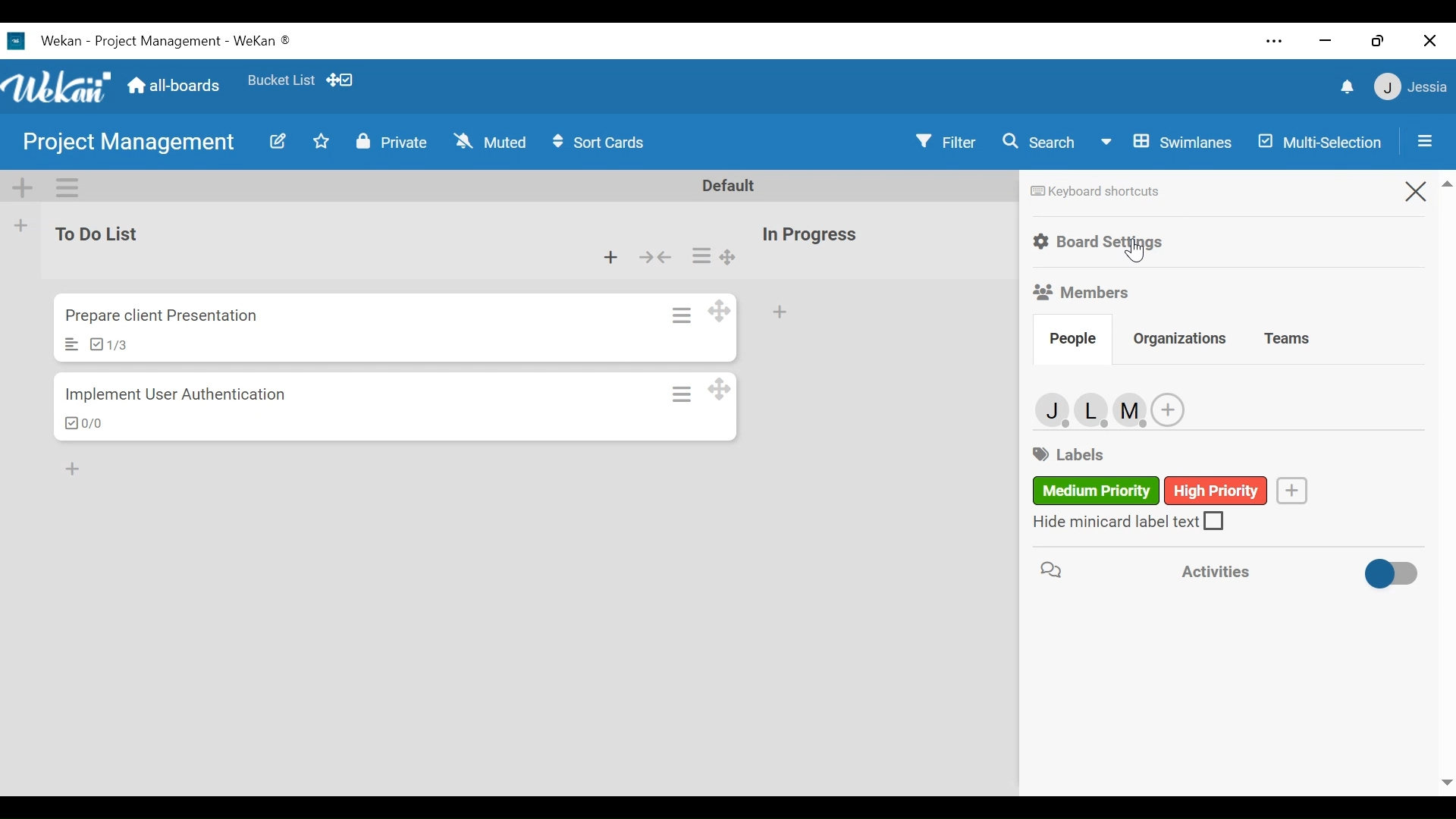 The height and width of the screenshot is (819, 1456). I want to click on Search, so click(1040, 143).